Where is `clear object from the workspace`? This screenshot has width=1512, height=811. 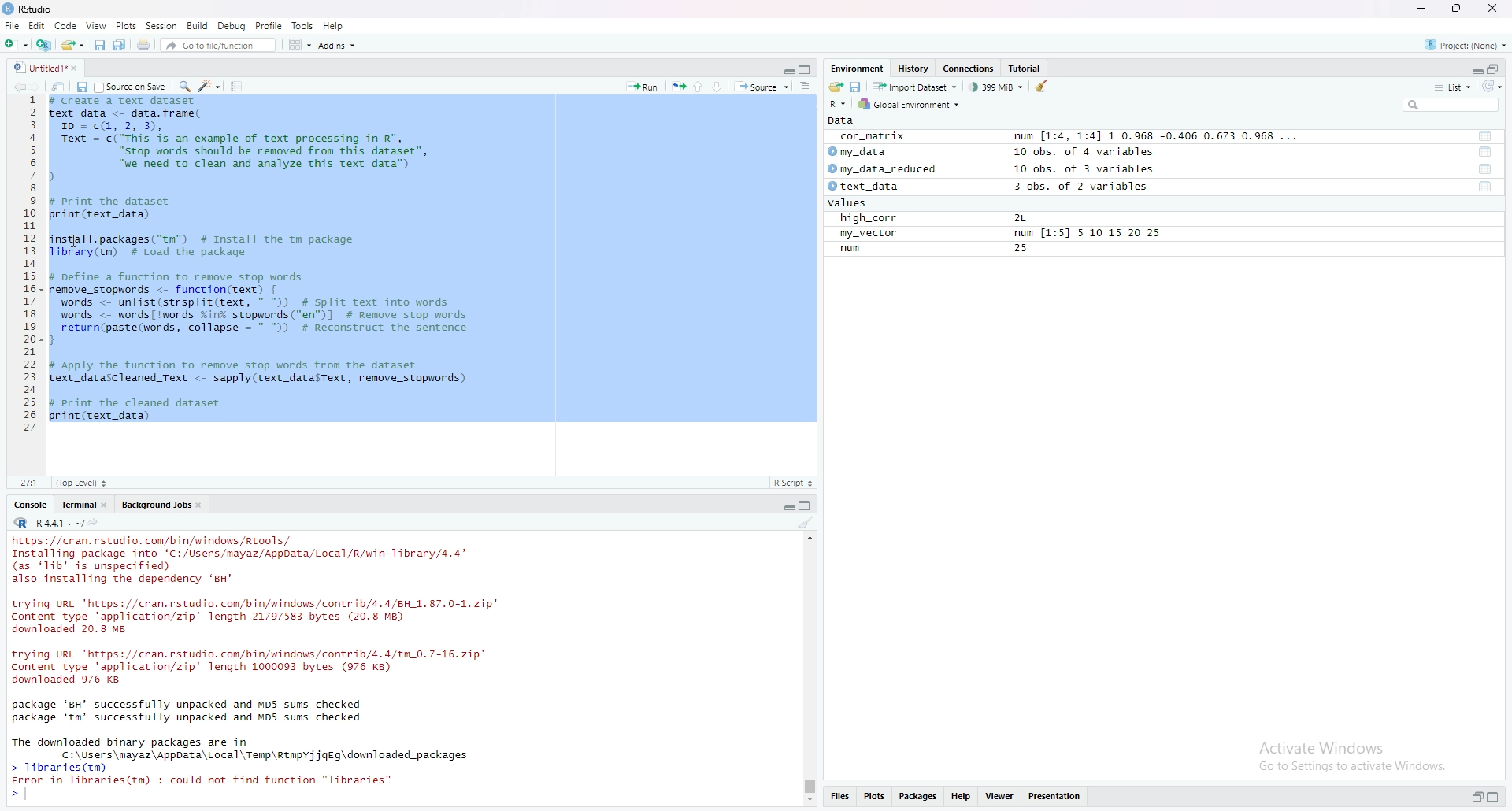 clear object from the workspace is located at coordinates (1043, 88).